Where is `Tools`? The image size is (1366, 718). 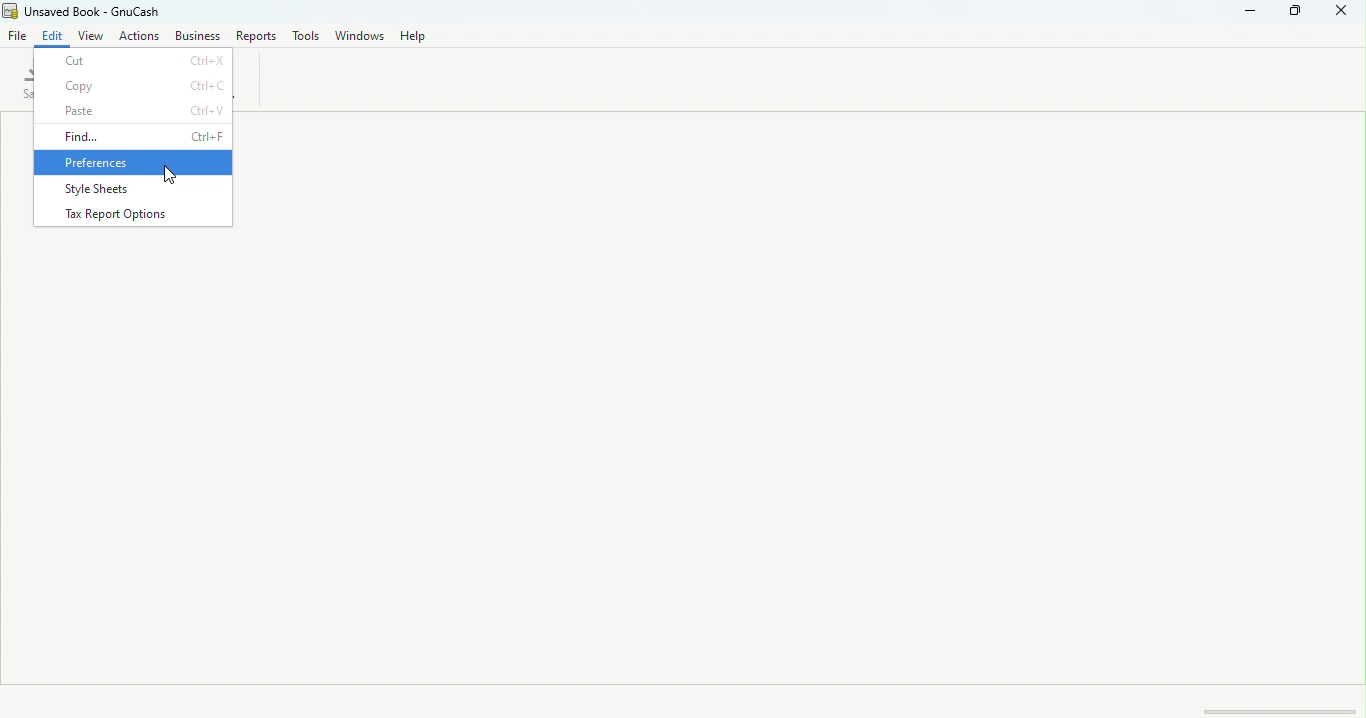
Tools is located at coordinates (306, 35).